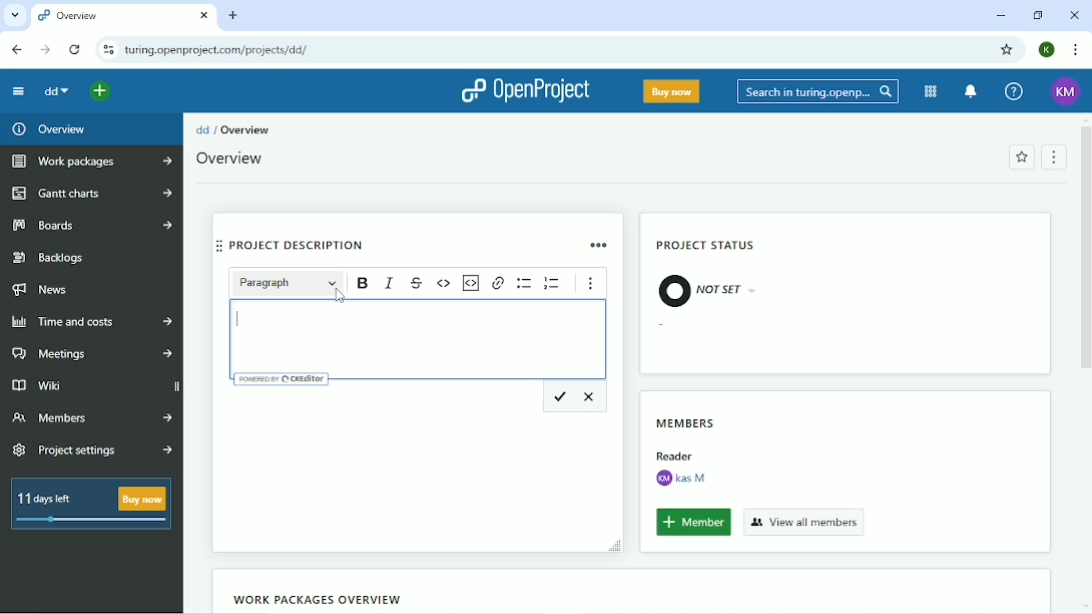  I want to click on dd, so click(202, 129).